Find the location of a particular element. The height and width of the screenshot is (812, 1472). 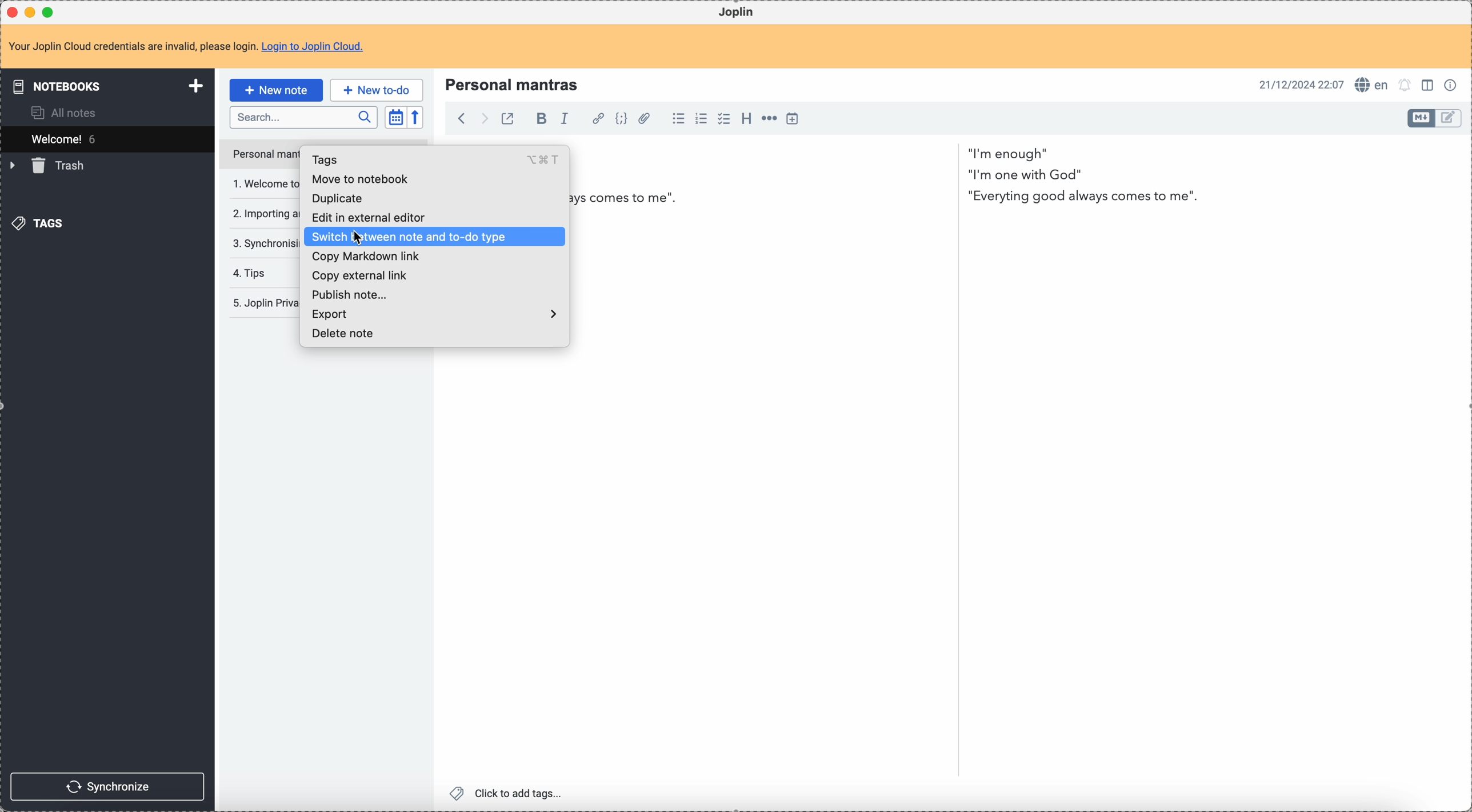

synchronising your notes is located at coordinates (265, 243).